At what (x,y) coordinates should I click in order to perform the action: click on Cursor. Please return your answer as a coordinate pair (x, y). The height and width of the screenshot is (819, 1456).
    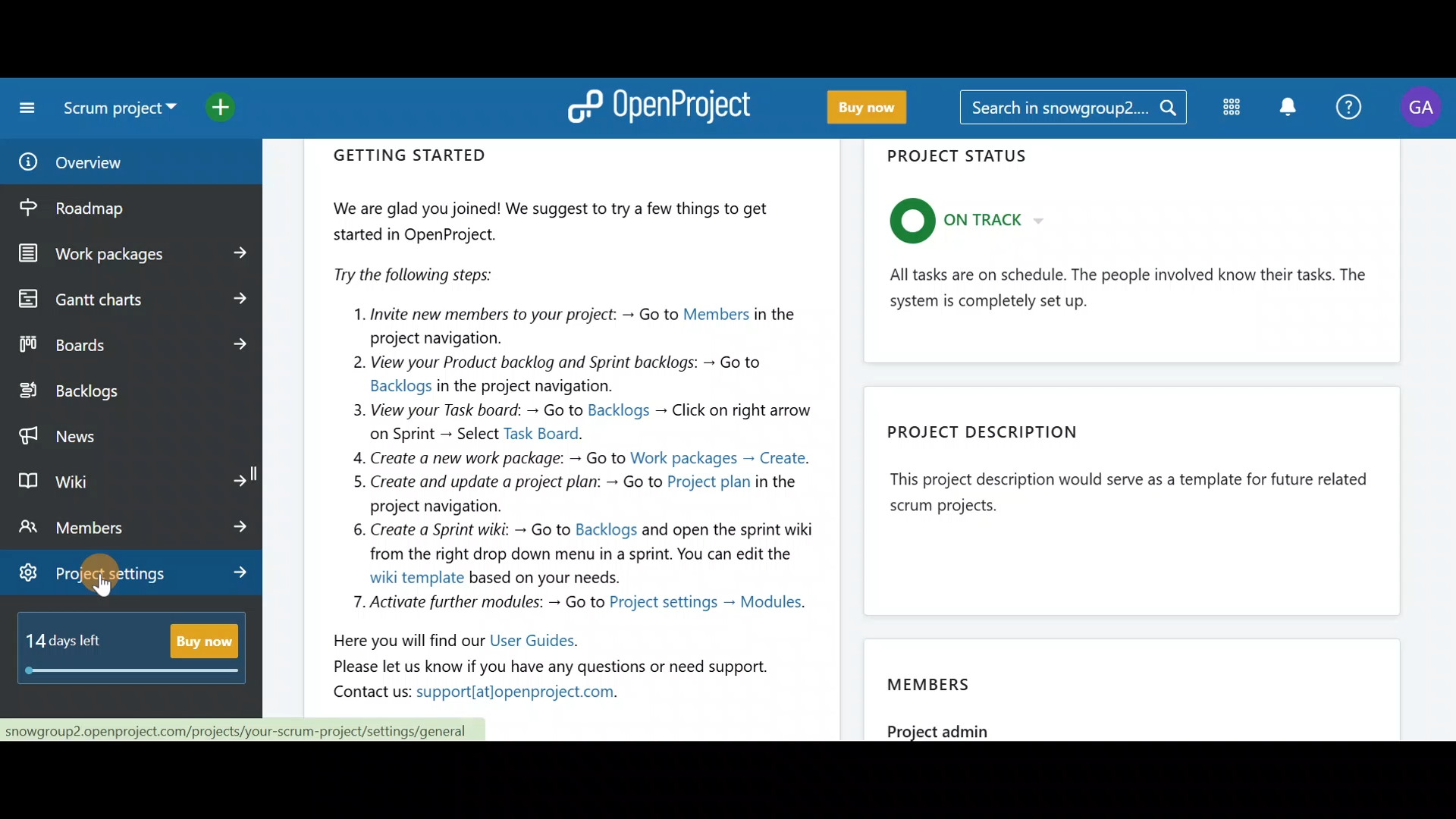
    Looking at the image, I should click on (105, 578).